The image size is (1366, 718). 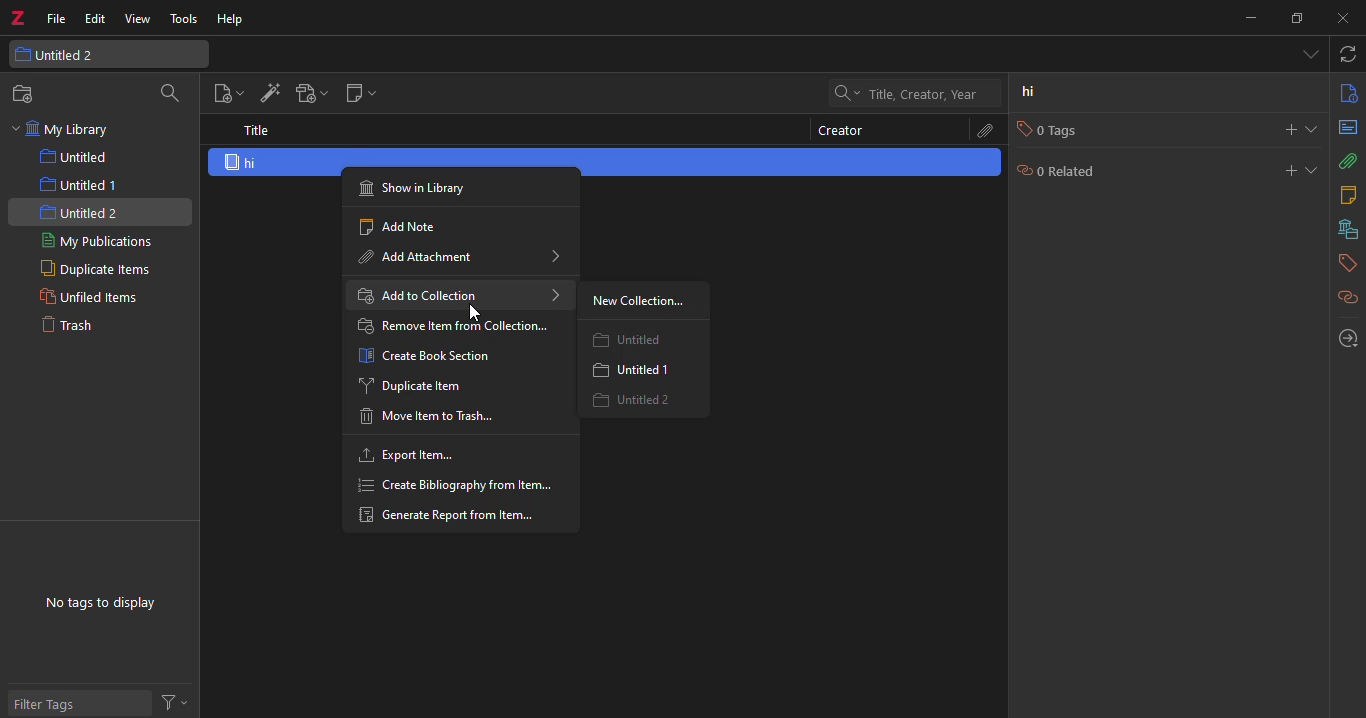 What do you see at coordinates (1346, 297) in the screenshot?
I see `related` at bounding box center [1346, 297].